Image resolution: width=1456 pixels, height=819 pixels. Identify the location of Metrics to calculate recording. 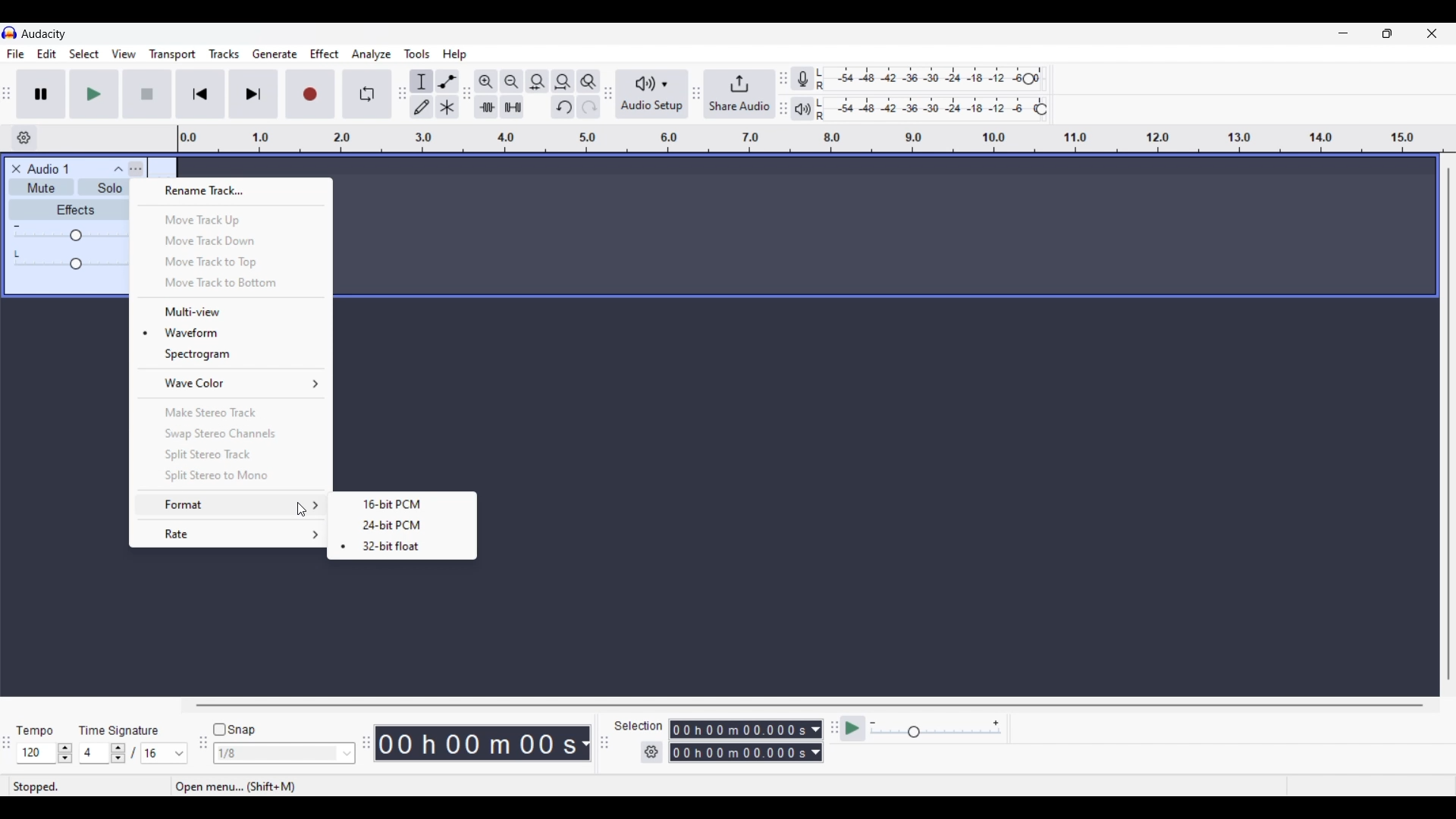
(585, 743).